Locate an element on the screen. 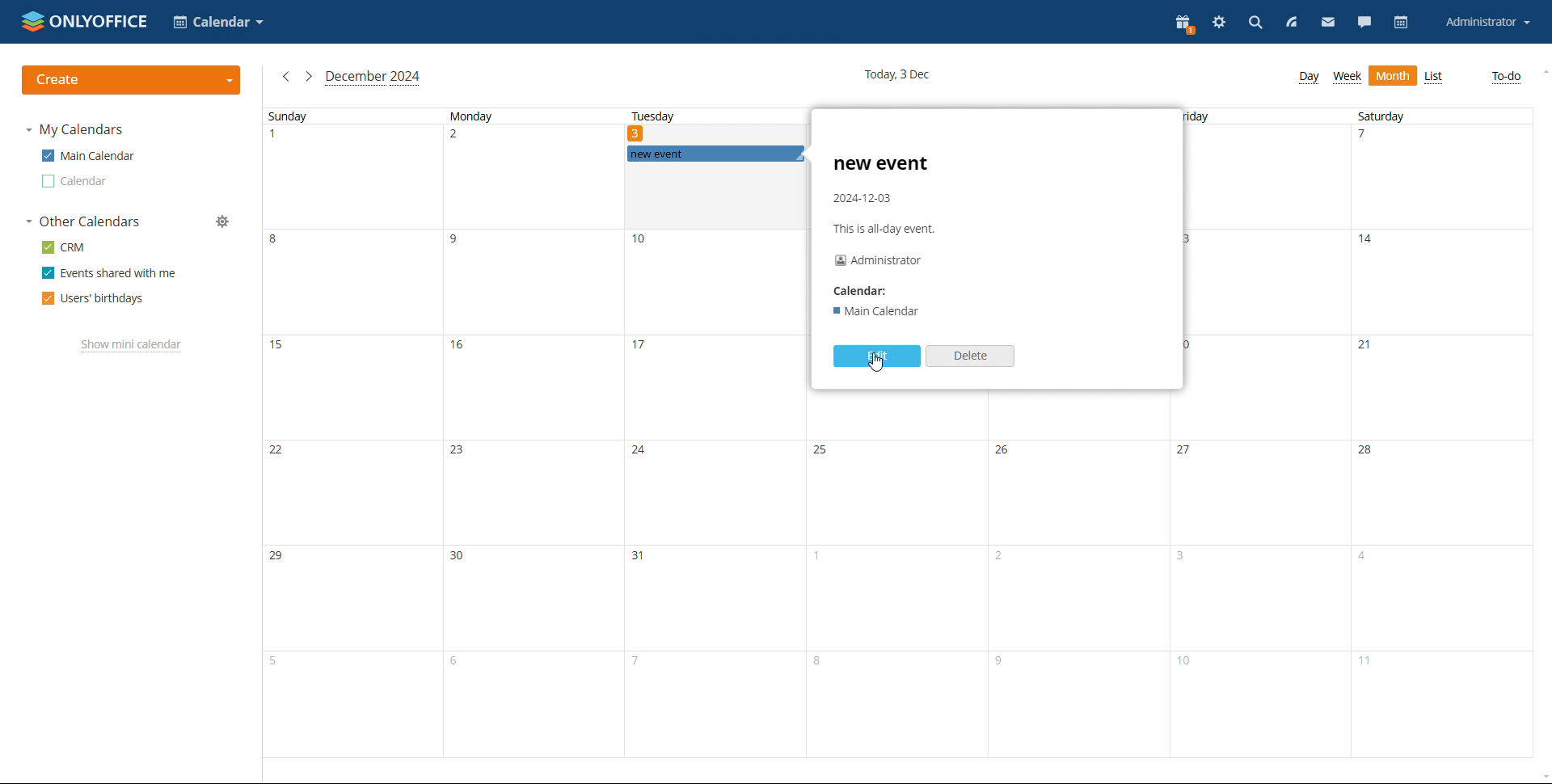 Image resolution: width=1552 pixels, height=784 pixels. saturday is located at coordinates (1440, 433).